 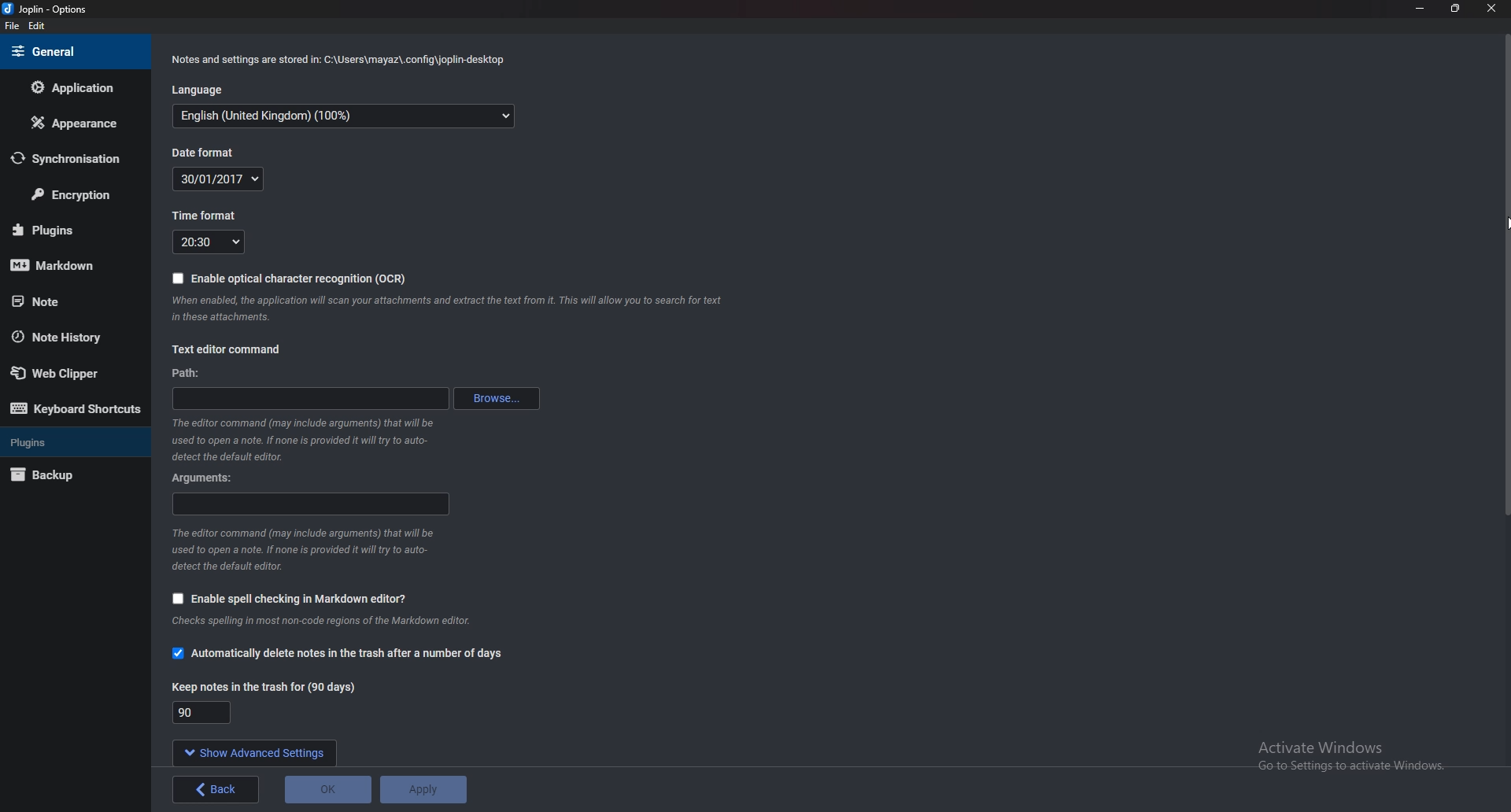 What do you see at coordinates (75, 409) in the screenshot?
I see `Keyboard shortcuts` at bounding box center [75, 409].